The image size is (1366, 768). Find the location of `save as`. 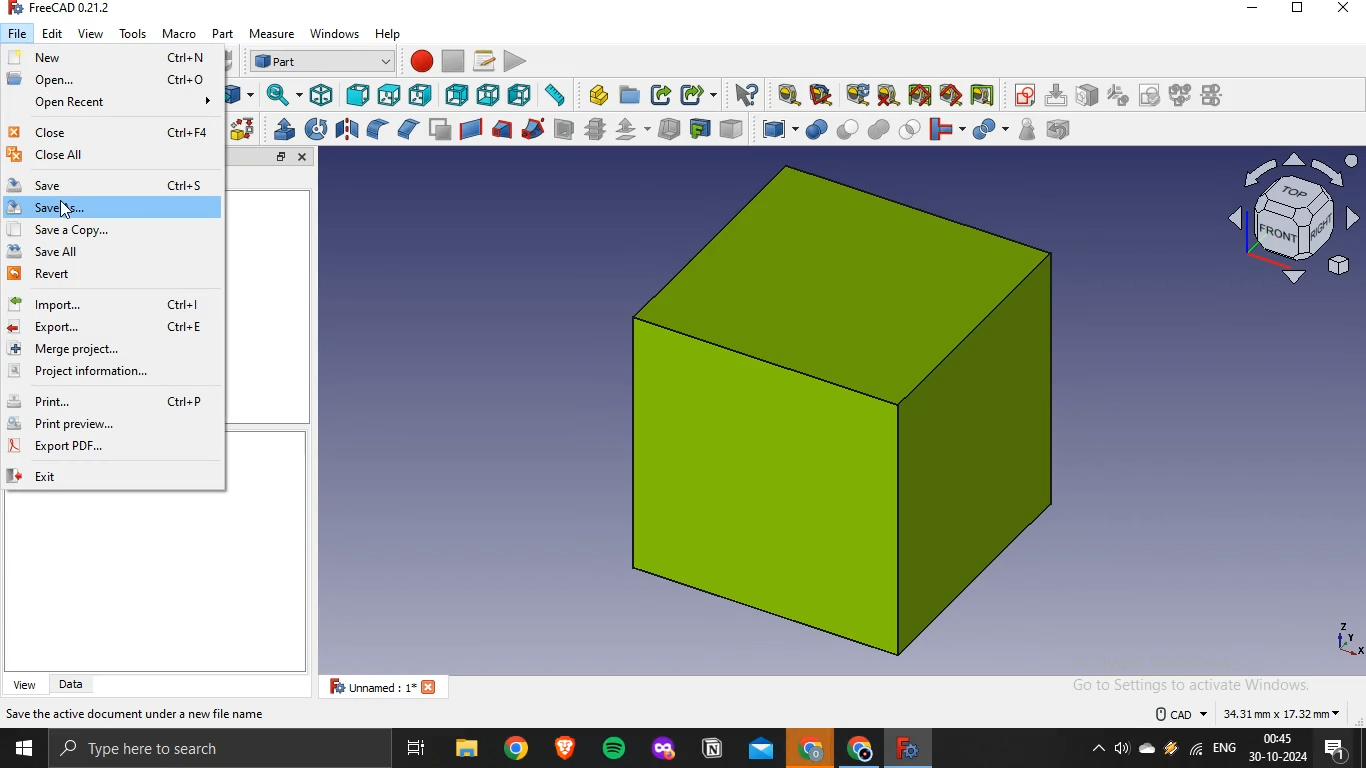

save as is located at coordinates (107, 207).